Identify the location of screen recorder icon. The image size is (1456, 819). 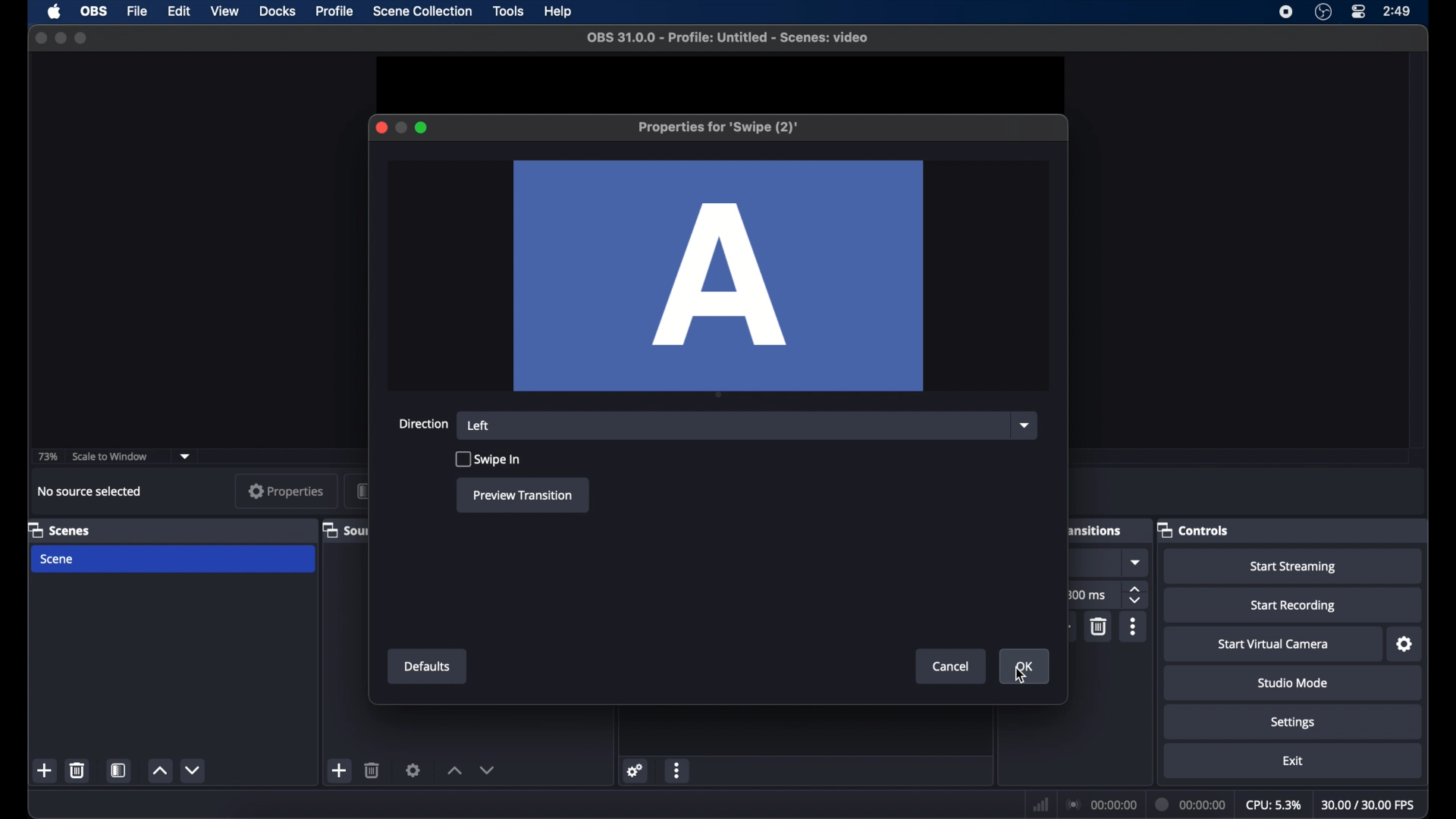
(1286, 11).